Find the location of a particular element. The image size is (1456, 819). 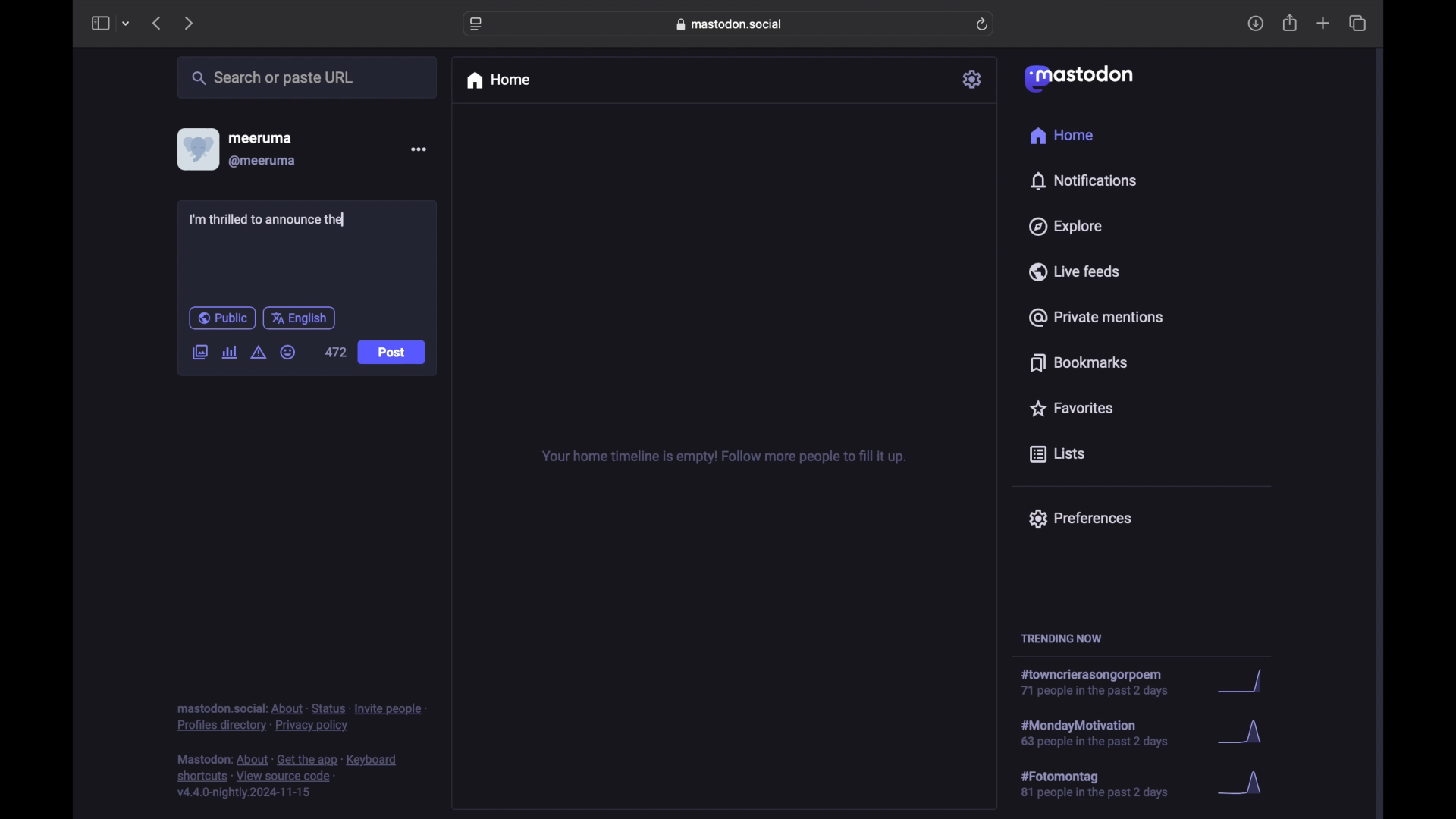

english is located at coordinates (299, 319).